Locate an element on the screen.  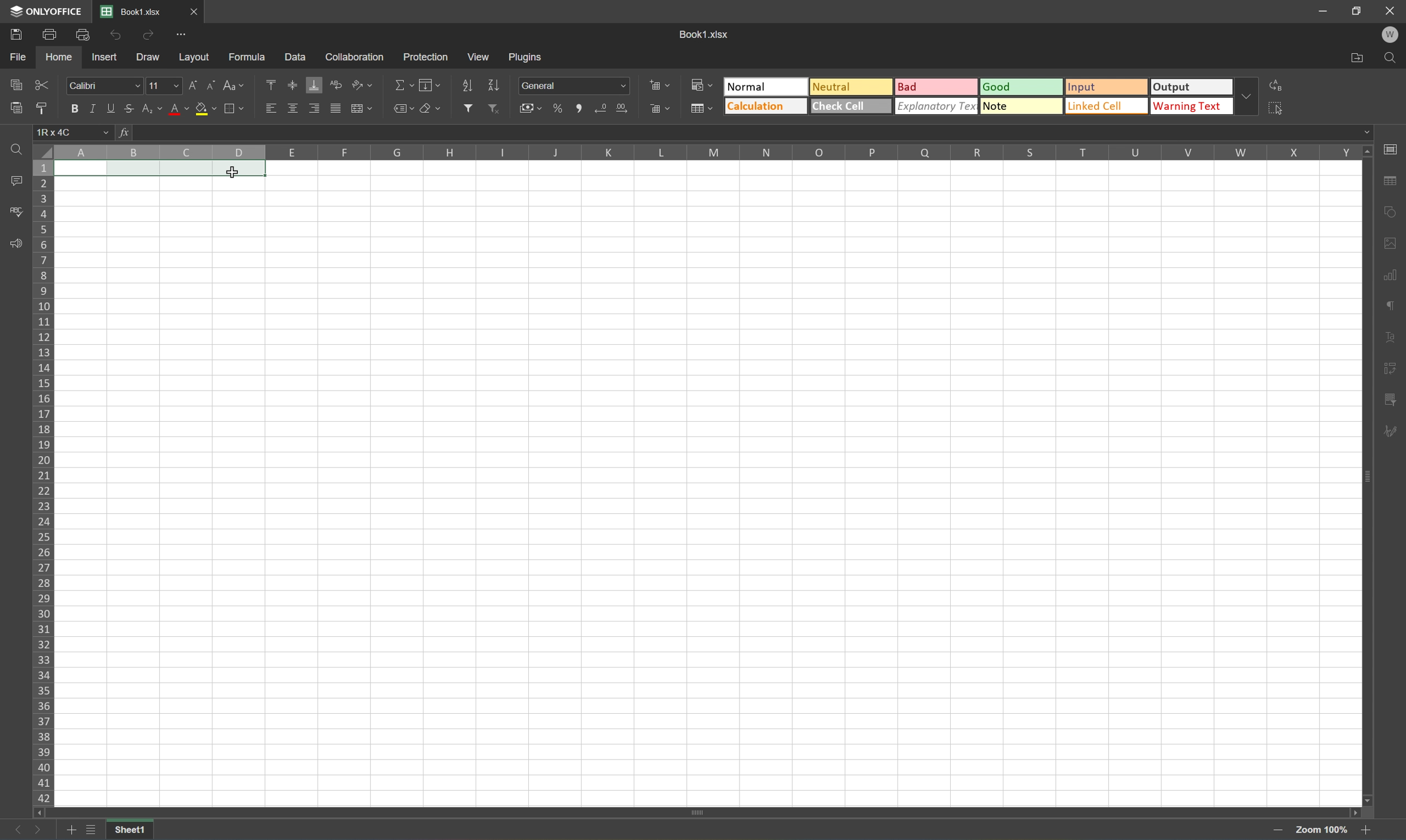
Explanatory text is located at coordinates (937, 105).